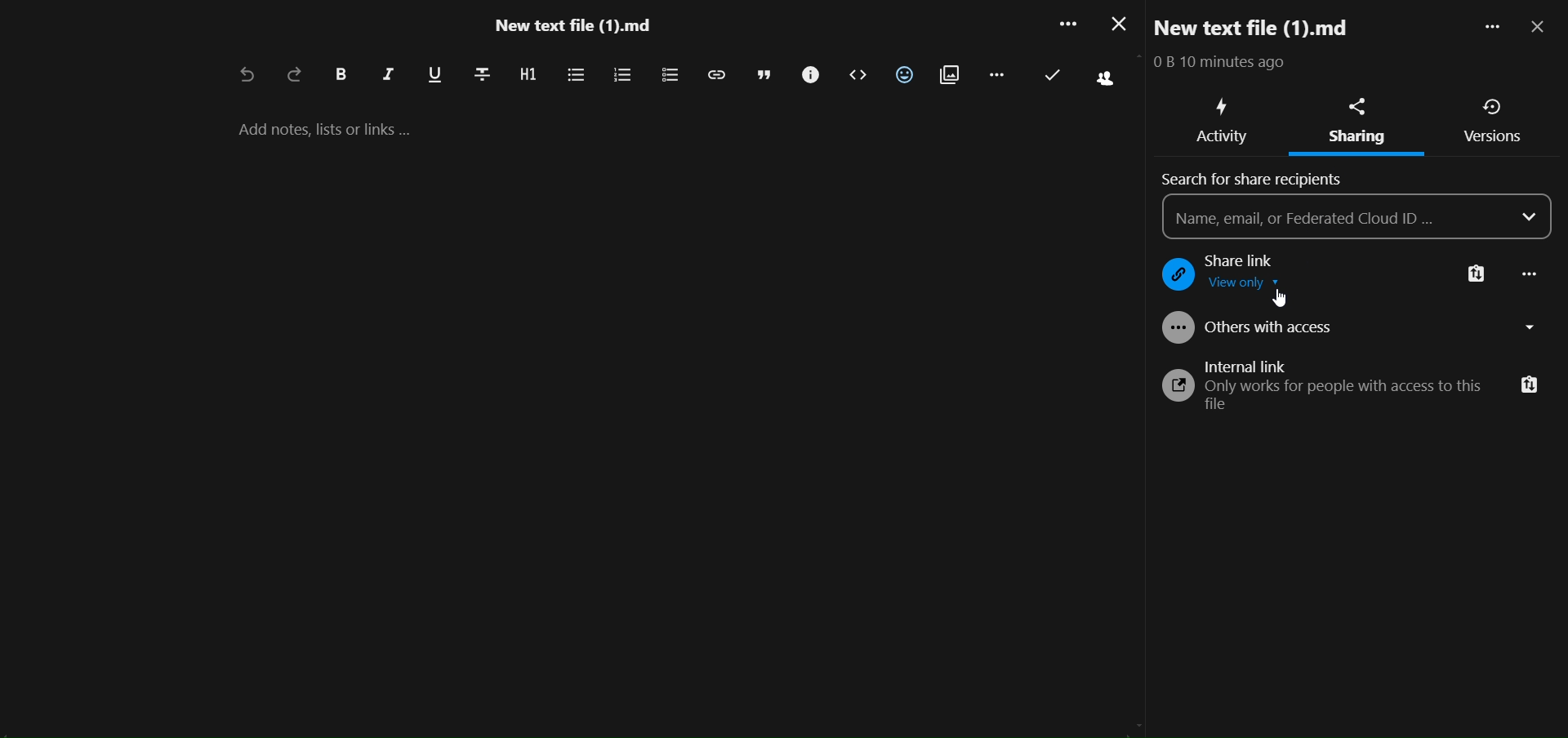  I want to click on dropdown, so click(1530, 217).